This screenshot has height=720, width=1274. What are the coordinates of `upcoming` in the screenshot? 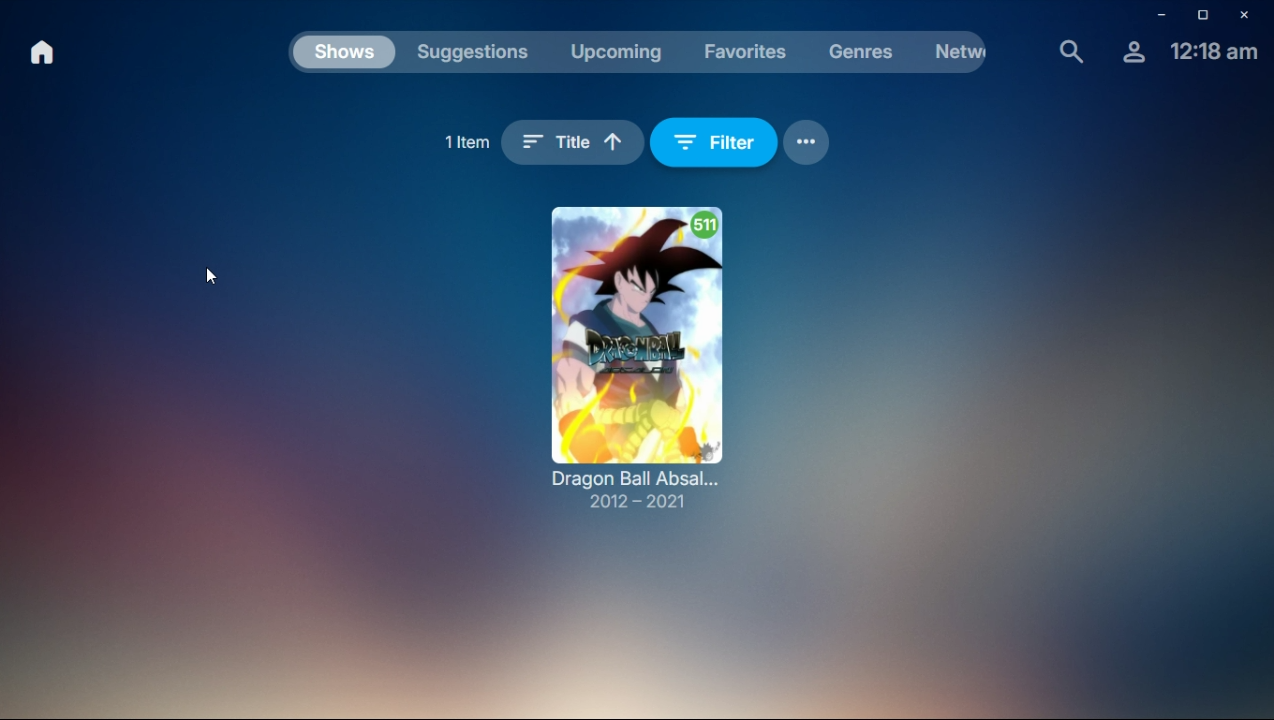 It's located at (613, 50).